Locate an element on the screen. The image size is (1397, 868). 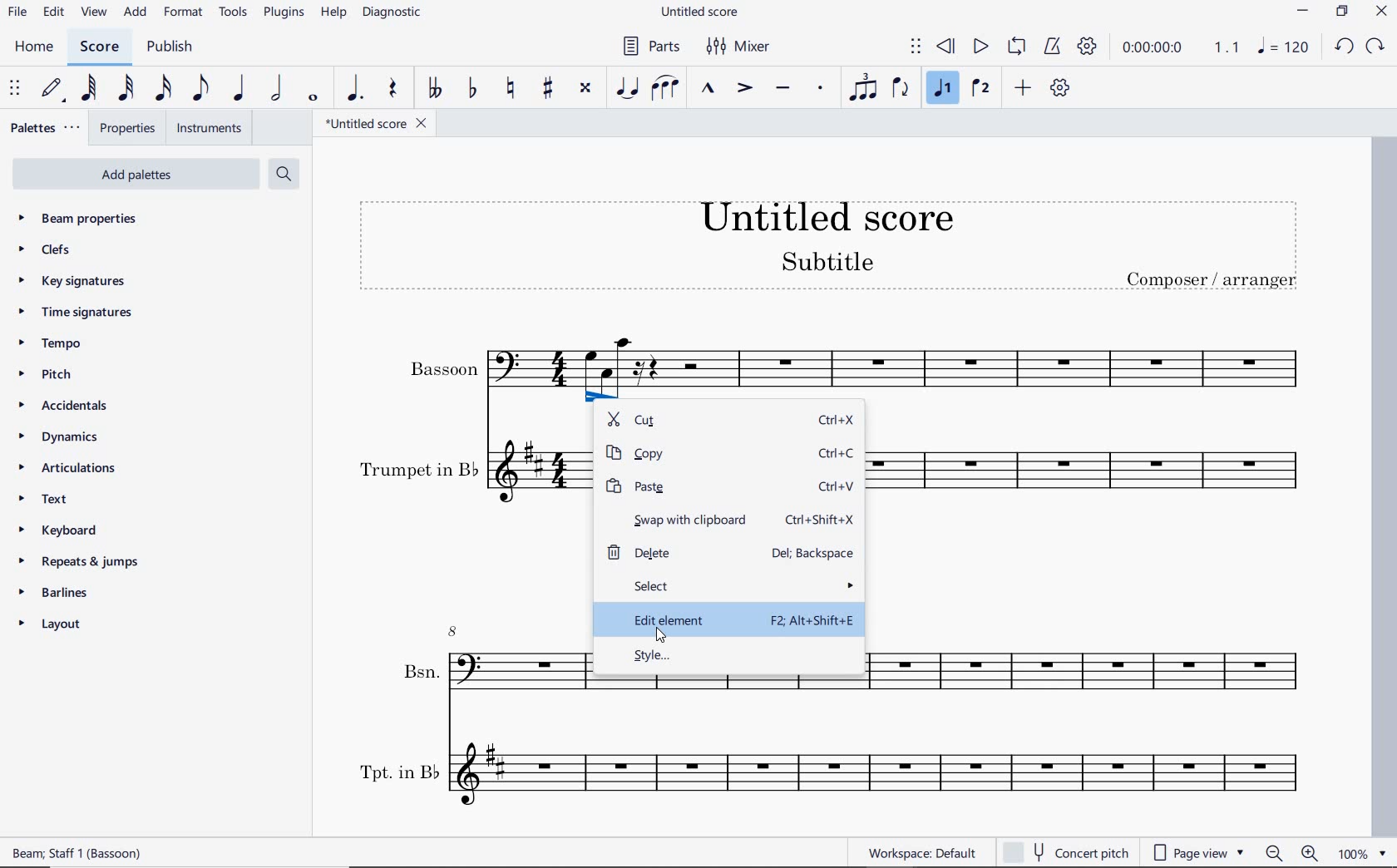
concert pitch is located at coordinates (1063, 851).